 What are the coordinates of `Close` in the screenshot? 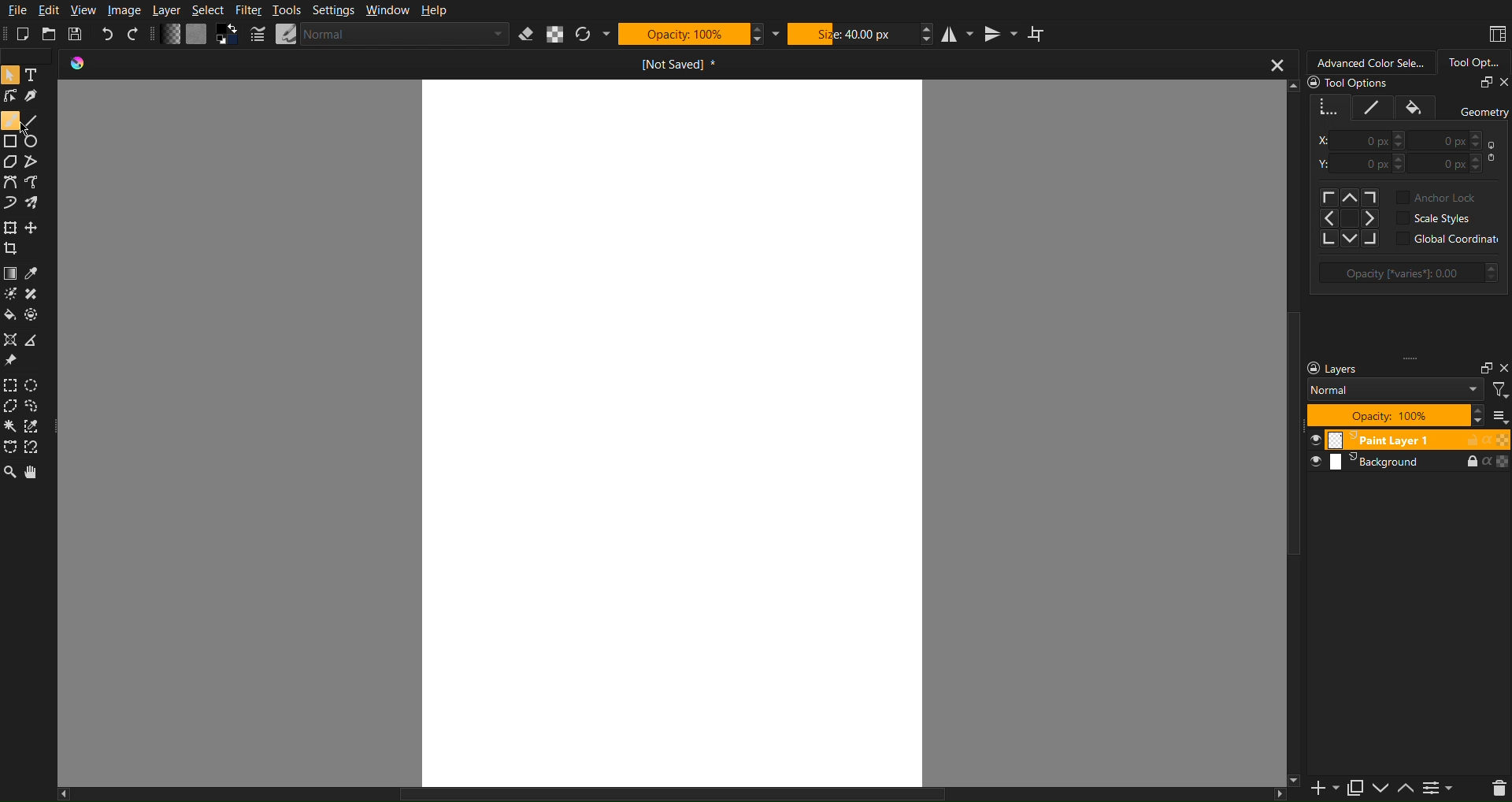 It's located at (1503, 83).